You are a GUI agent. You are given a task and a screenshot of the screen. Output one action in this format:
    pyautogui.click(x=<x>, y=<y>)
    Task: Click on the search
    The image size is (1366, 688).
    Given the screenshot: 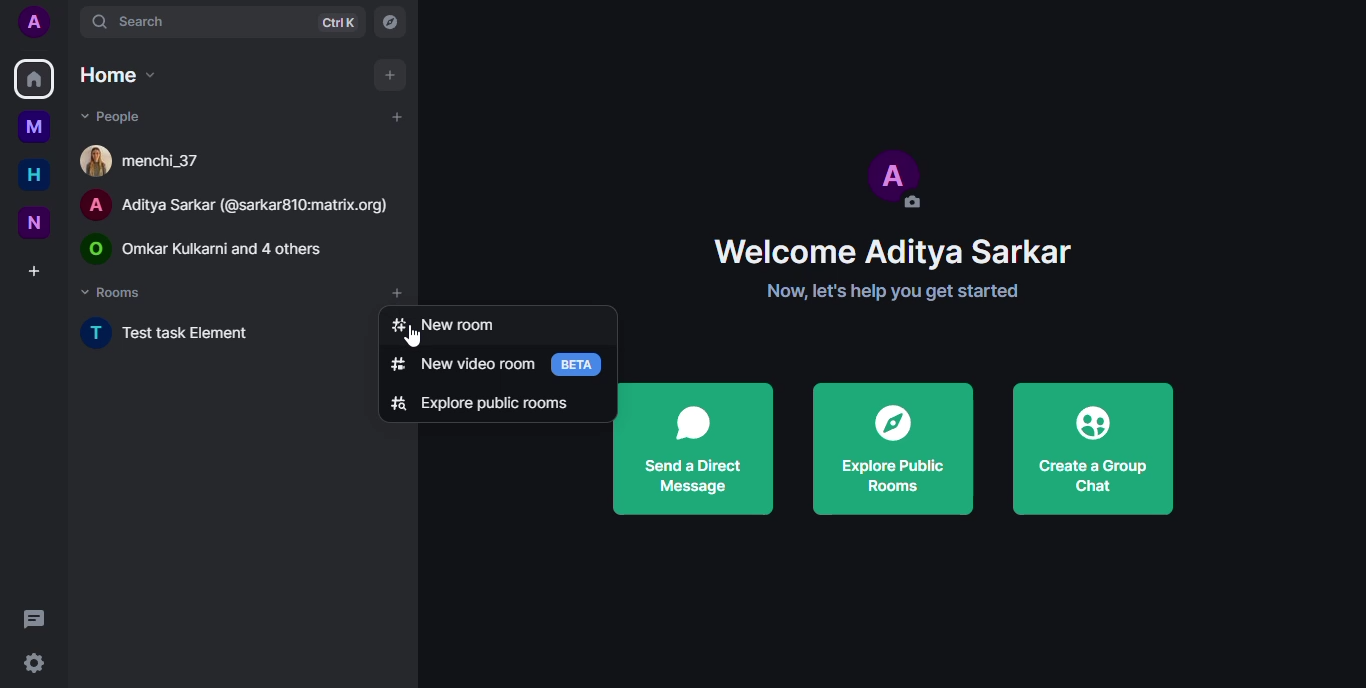 What is the action you would take?
    pyautogui.click(x=133, y=23)
    